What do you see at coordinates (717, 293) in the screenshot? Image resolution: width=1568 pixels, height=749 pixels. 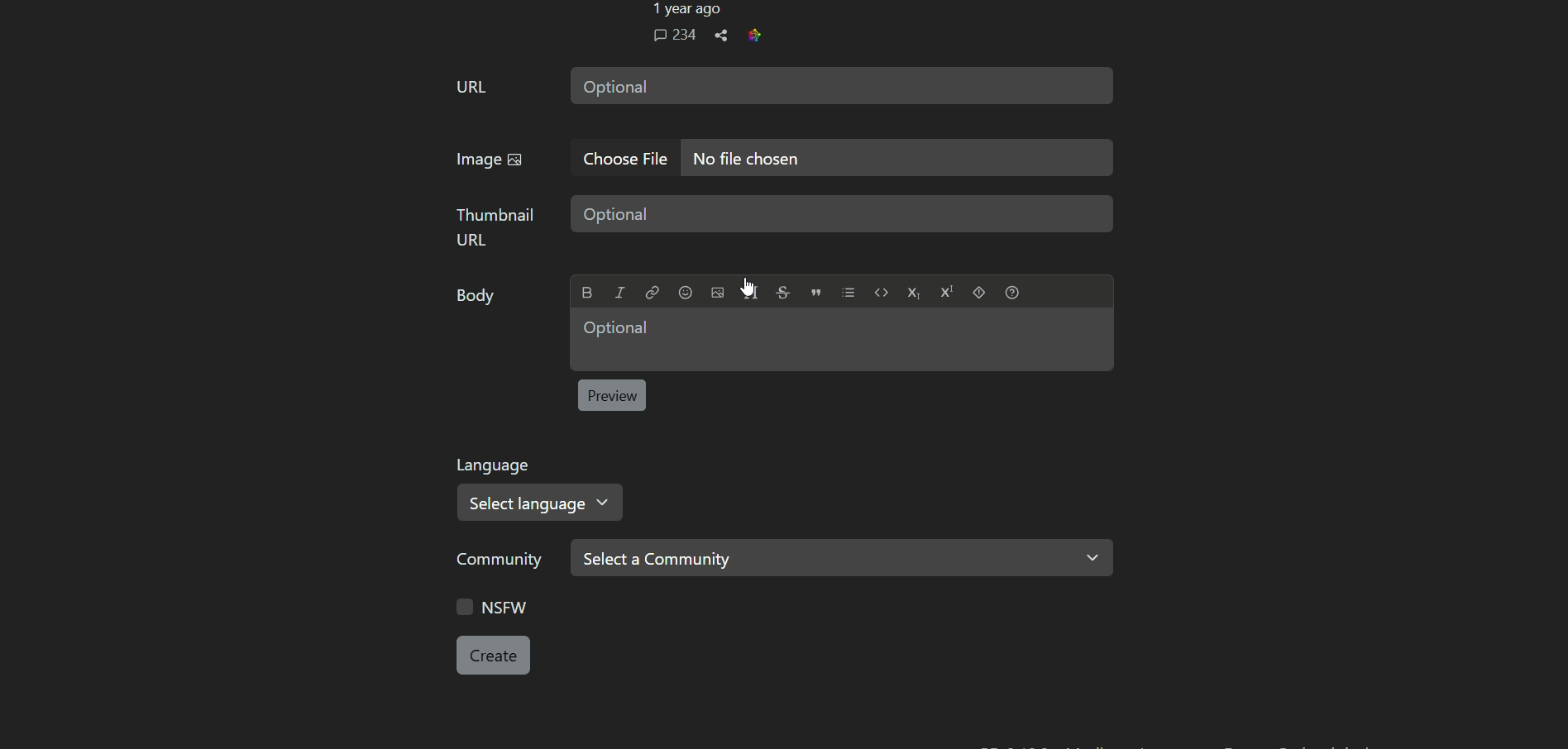 I see `Upload image` at bounding box center [717, 293].